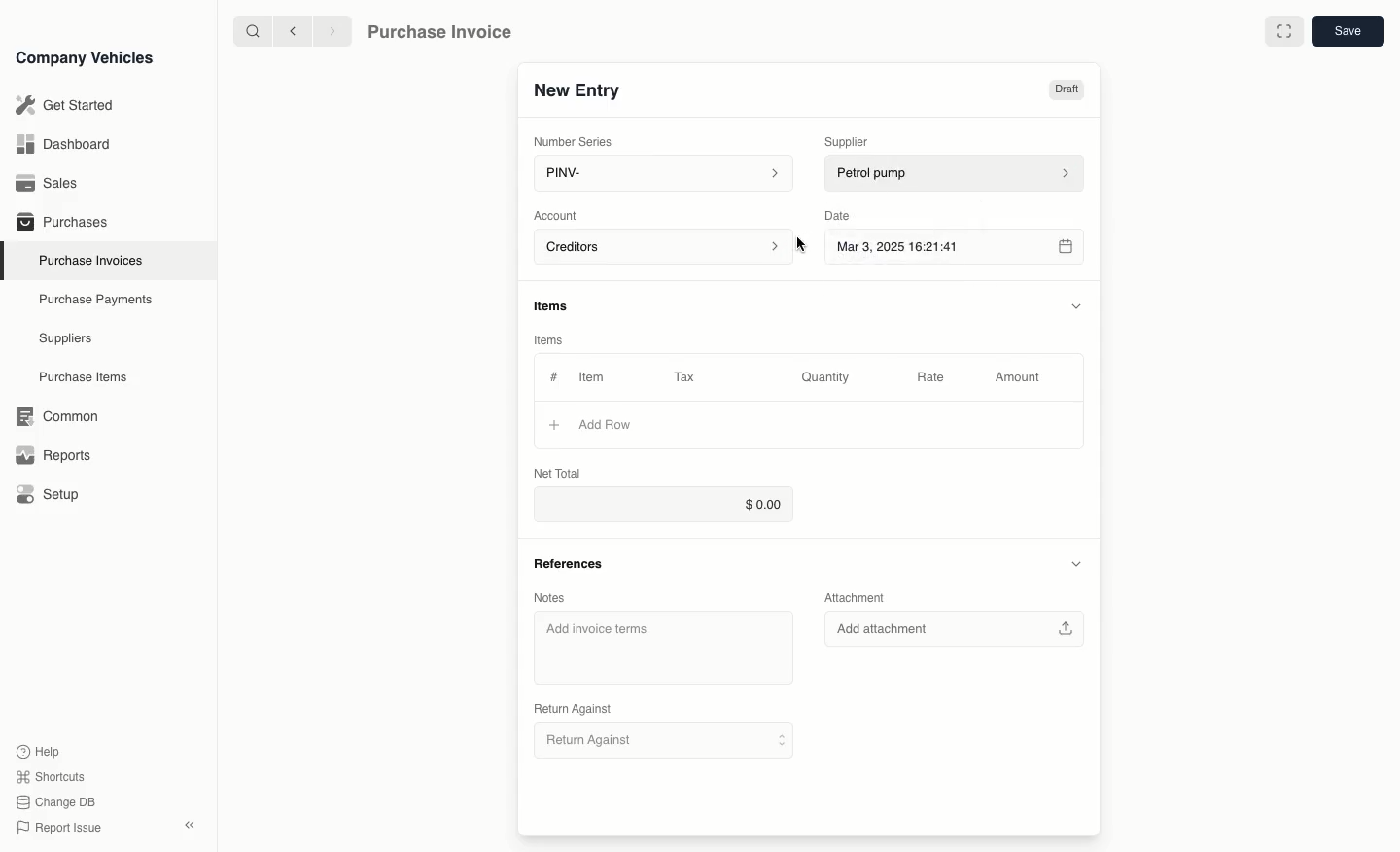 This screenshot has width=1400, height=852. What do you see at coordinates (1067, 248) in the screenshot?
I see `calender` at bounding box center [1067, 248].